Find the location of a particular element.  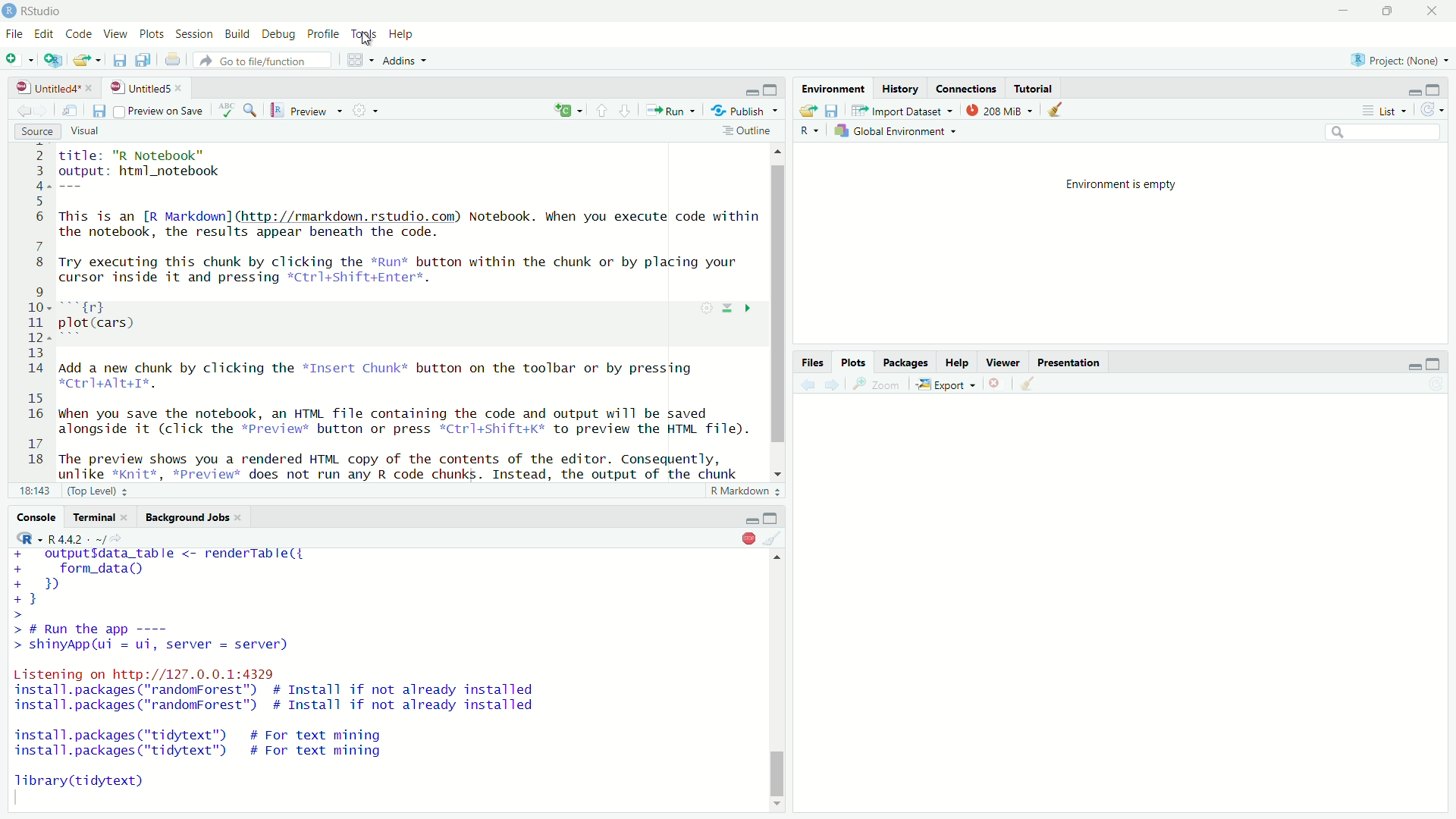

Load WorSpace is located at coordinates (807, 110).